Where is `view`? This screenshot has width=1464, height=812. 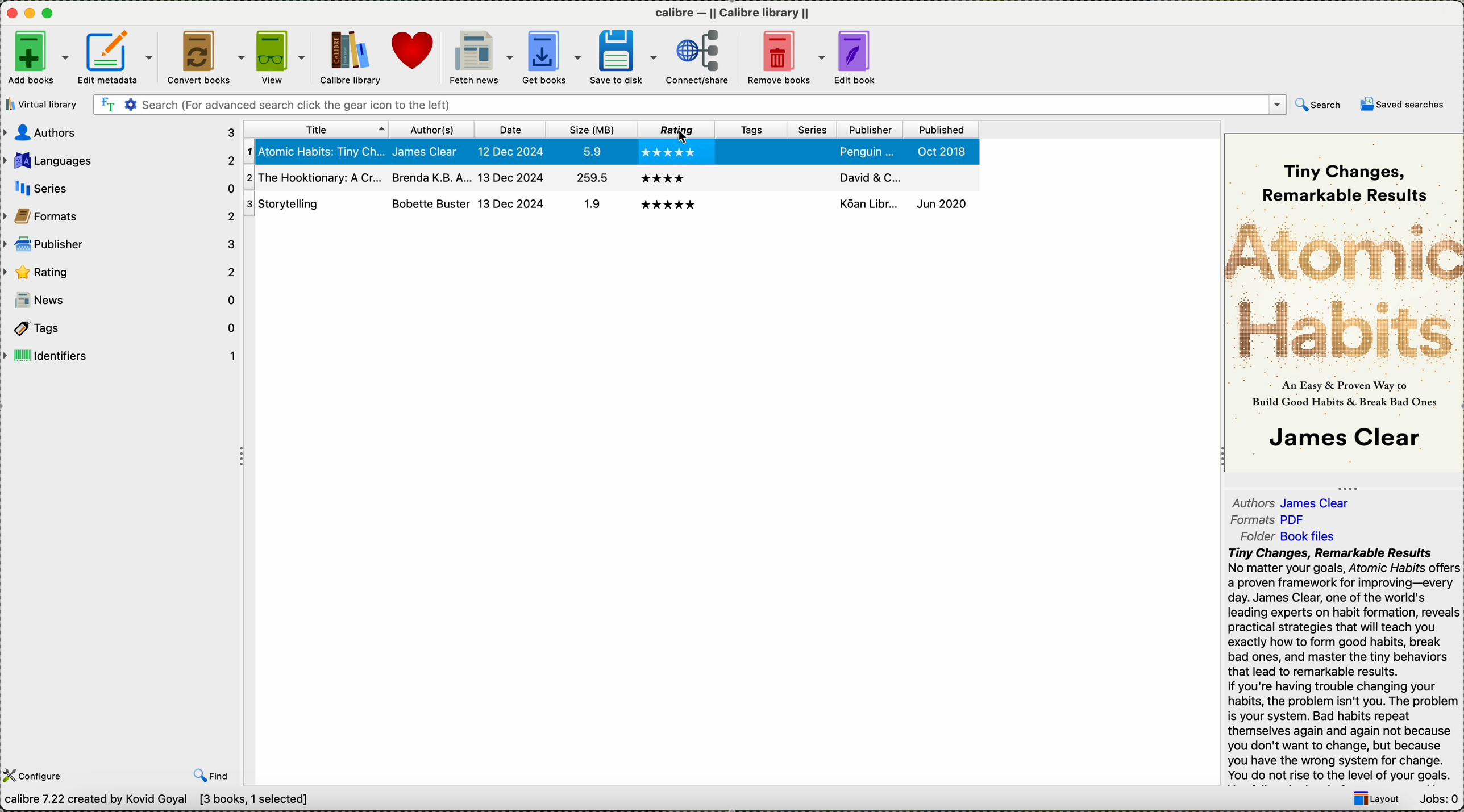 view is located at coordinates (282, 57).